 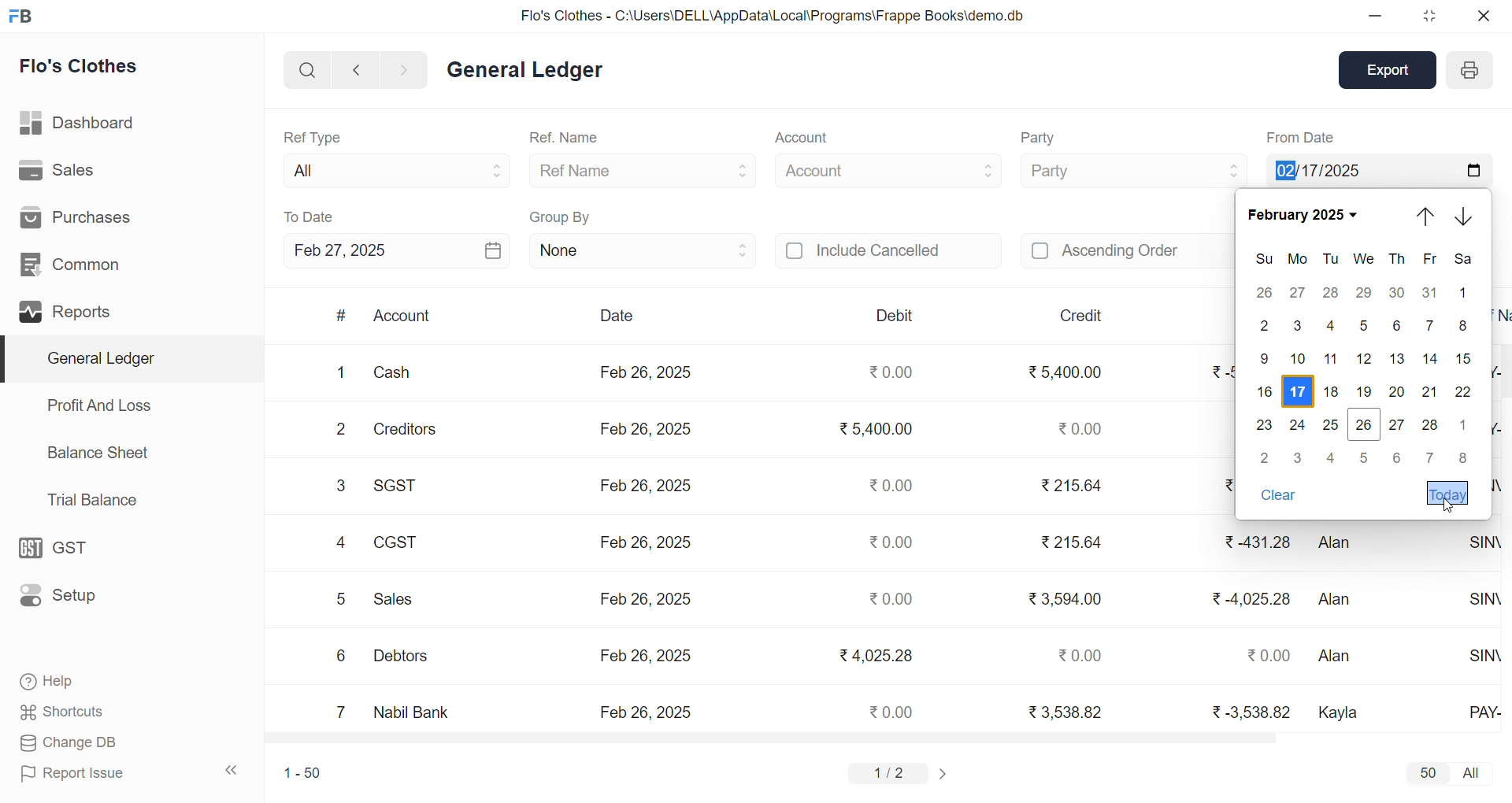 I want to click on ₹ 0.00, so click(x=1269, y=656).